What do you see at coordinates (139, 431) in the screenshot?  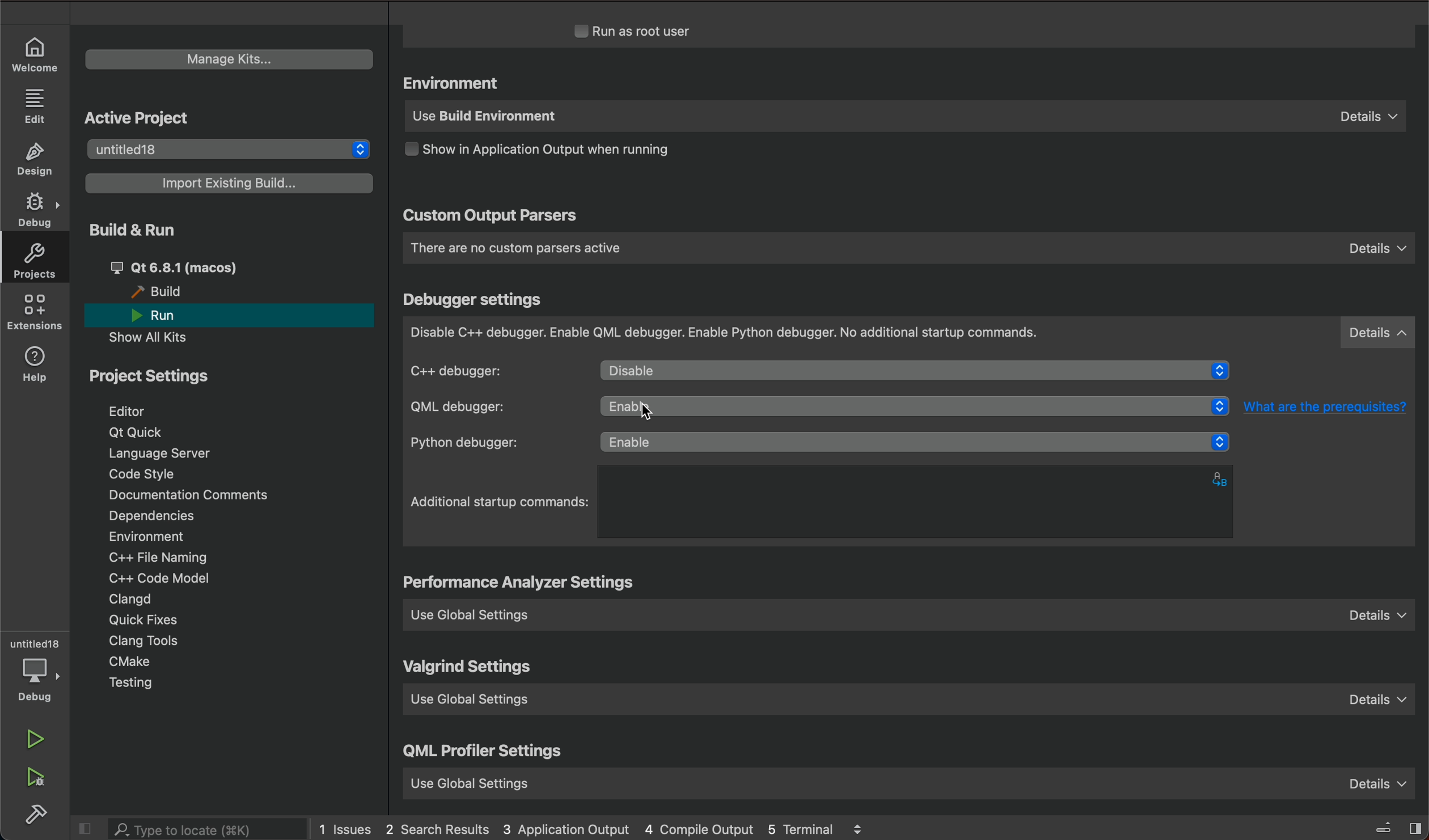 I see `qt ` at bounding box center [139, 431].